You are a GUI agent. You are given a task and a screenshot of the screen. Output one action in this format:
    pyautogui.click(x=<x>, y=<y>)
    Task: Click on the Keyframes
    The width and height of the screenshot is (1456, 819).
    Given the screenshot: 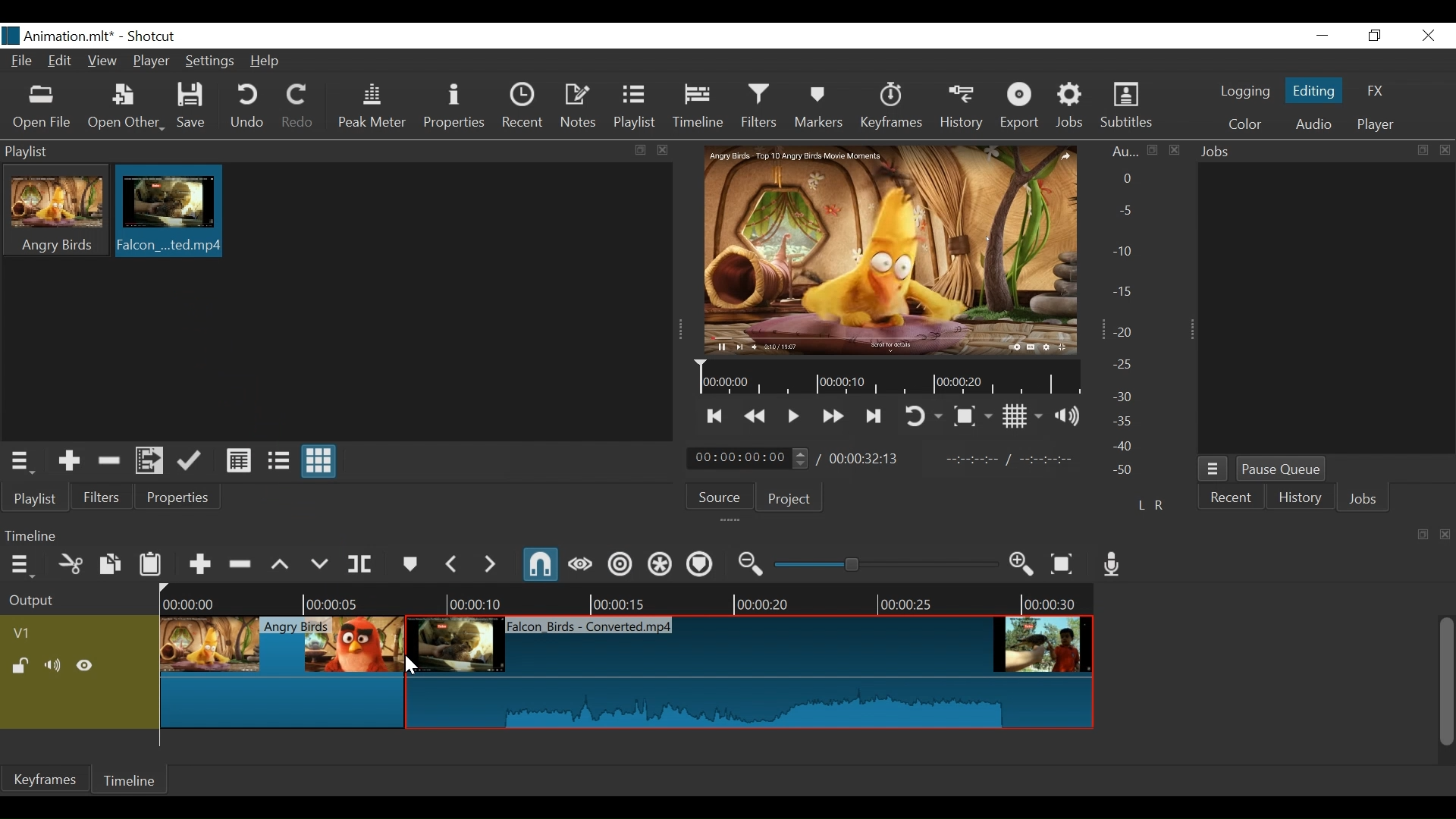 What is the action you would take?
    pyautogui.click(x=891, y=108)
    